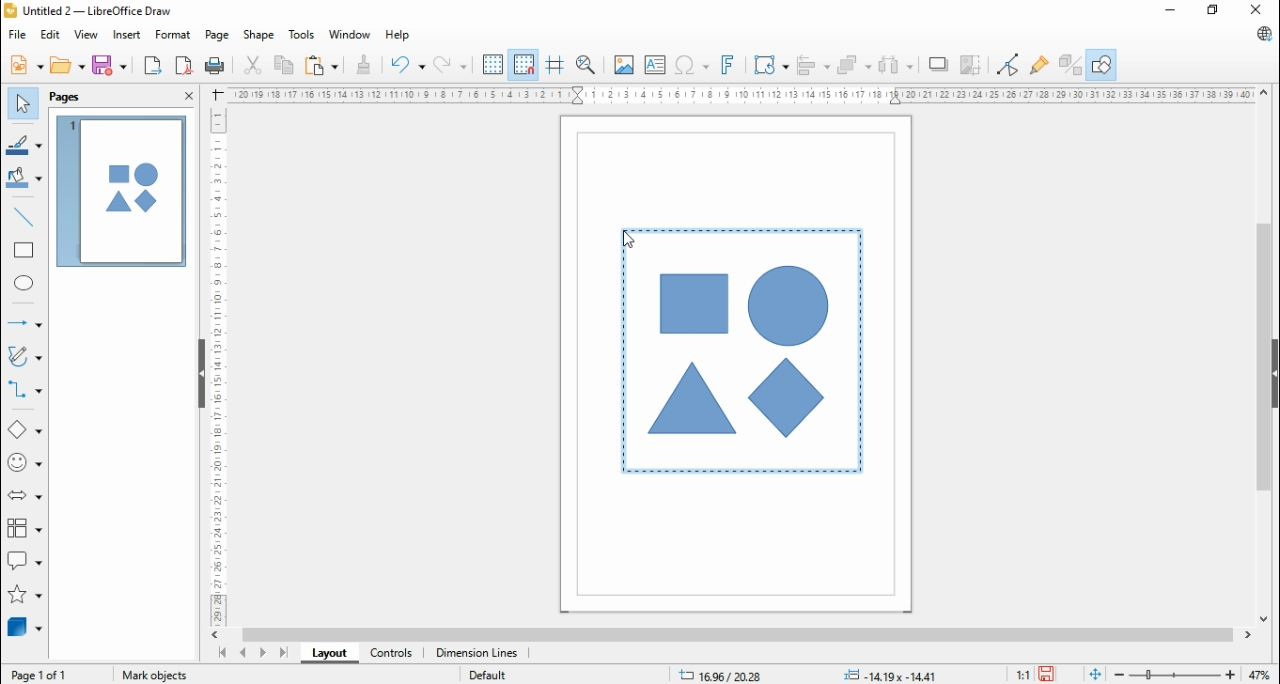 This screenshot has height=684, width=1280. I want to click on -0.17x-0.17, so click(883, 674).